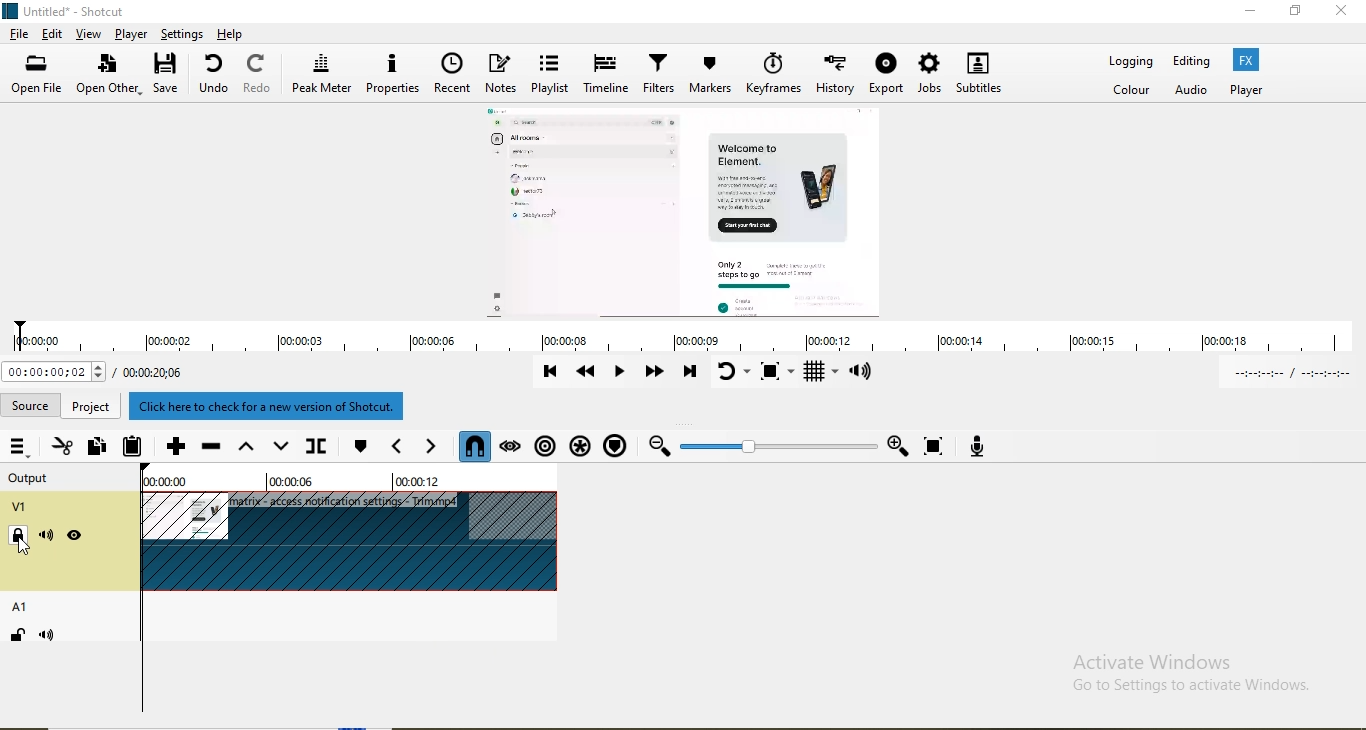 Image resolution: width=1366 pixels, height=730 pixels. I want to click on Zoom slider, so click(778, 447).